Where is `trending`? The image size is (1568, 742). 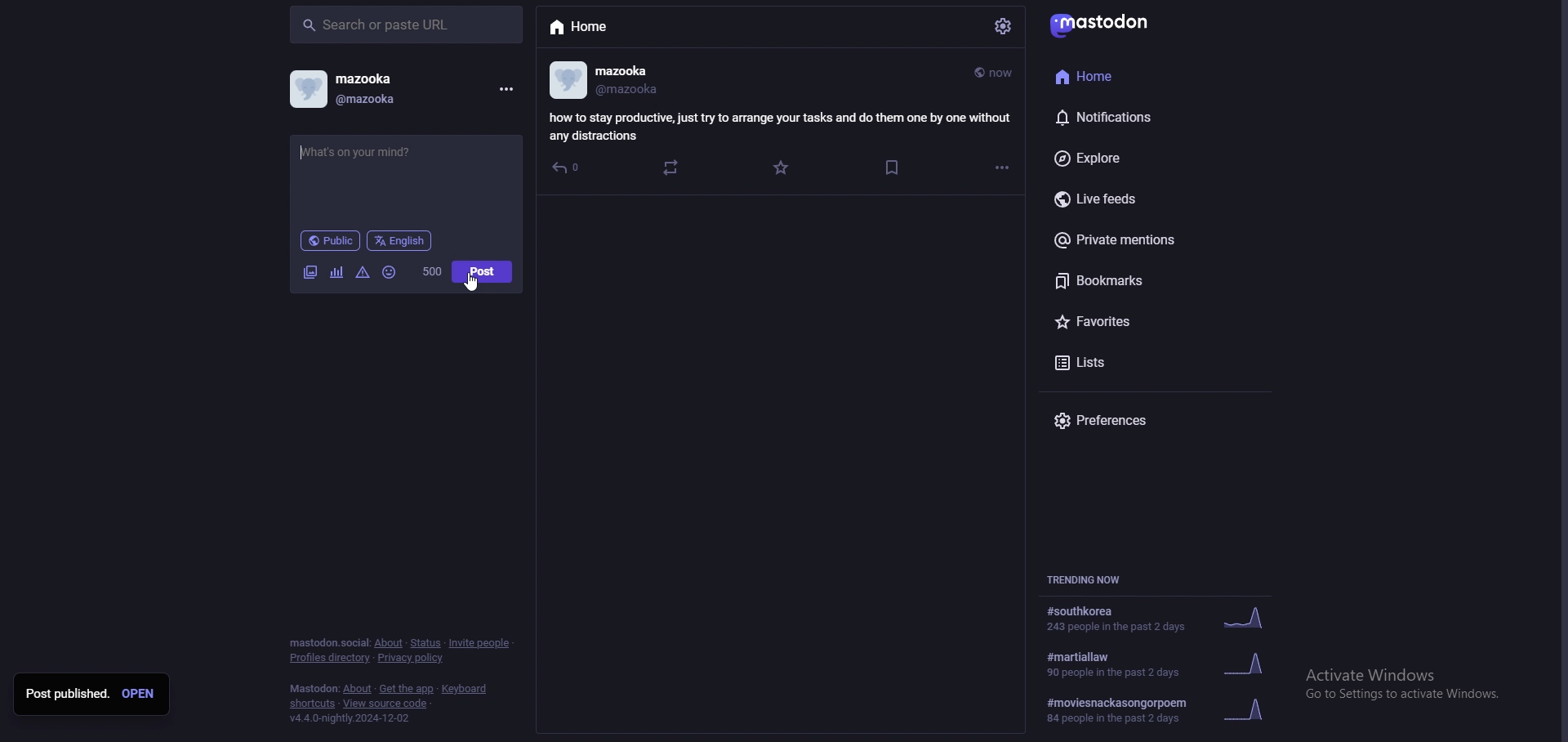 trending is located at coordinates (1171, 664).